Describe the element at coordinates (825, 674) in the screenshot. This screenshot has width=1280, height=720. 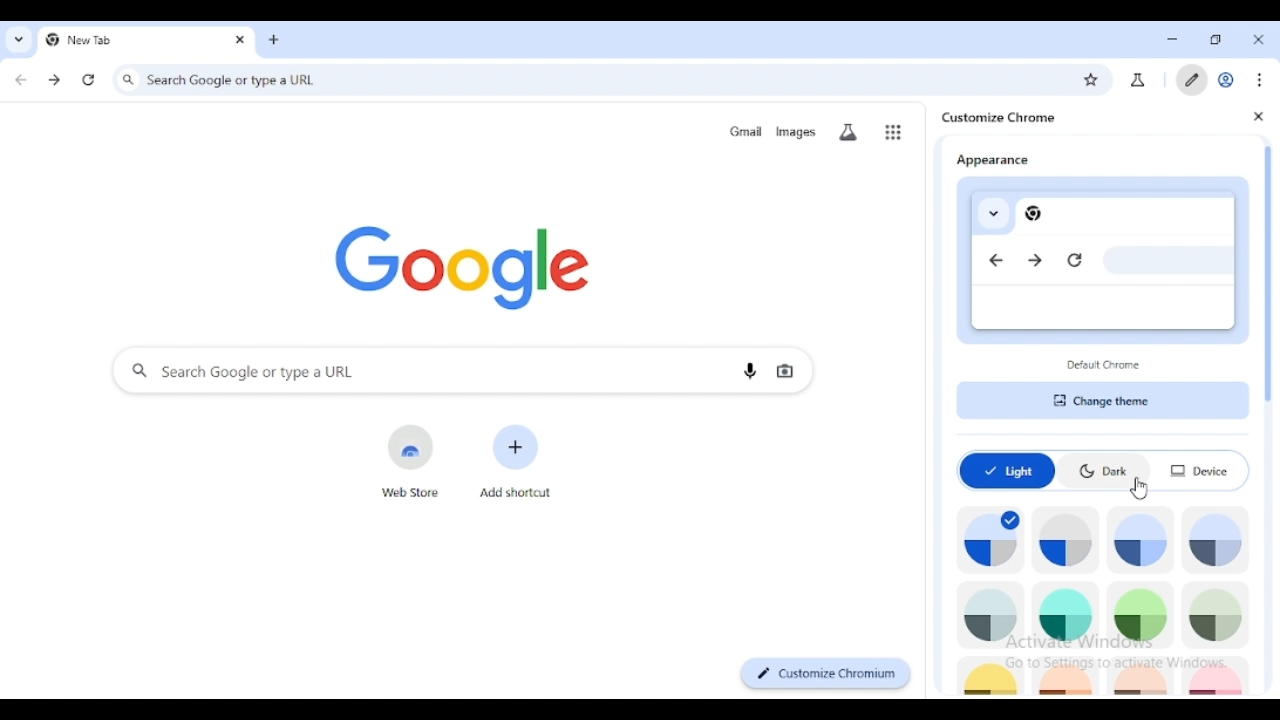
I see `customize chromium` at that location.